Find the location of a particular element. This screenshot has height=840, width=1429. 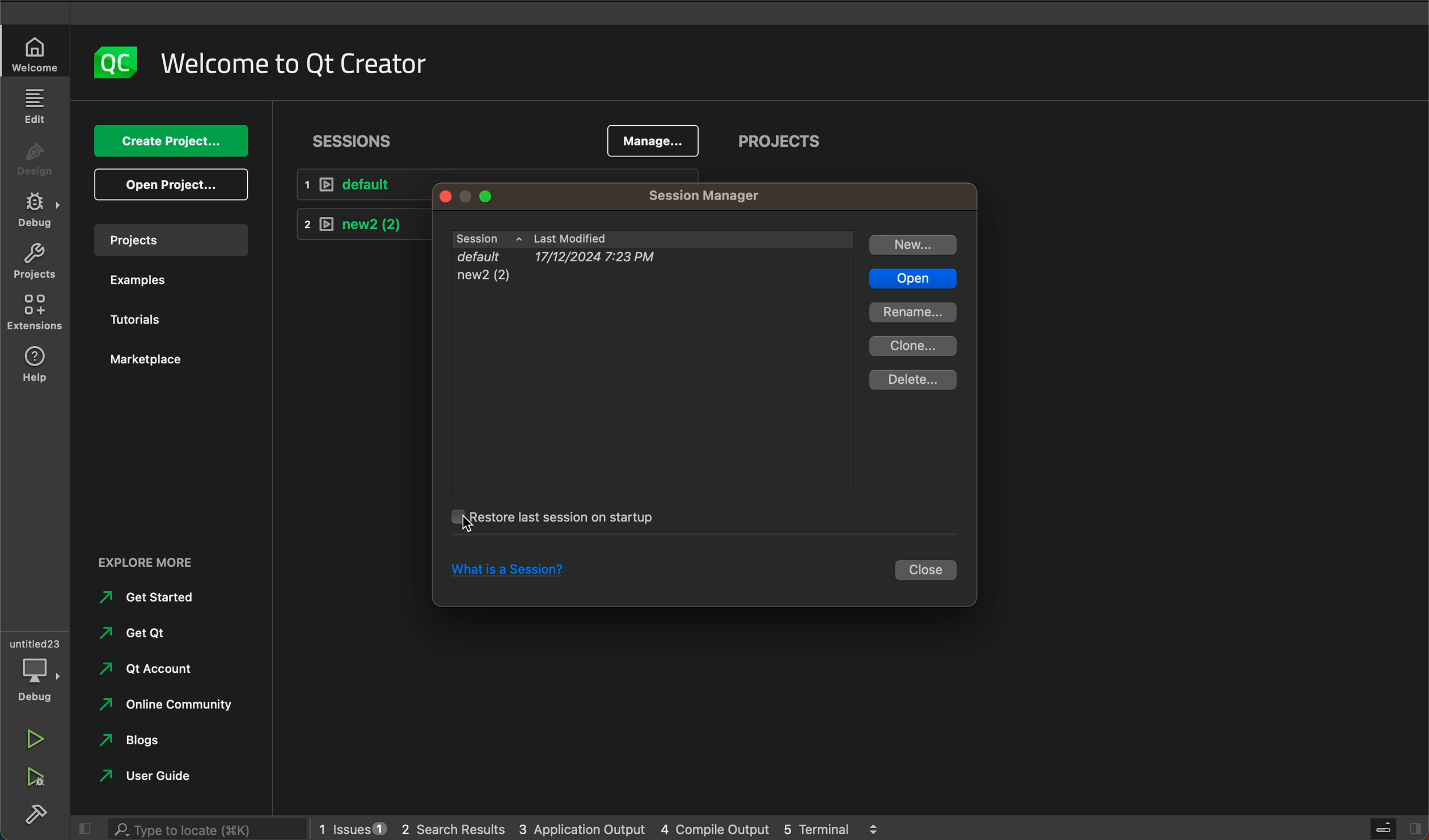

run debug is located at coordinates (32, 778).